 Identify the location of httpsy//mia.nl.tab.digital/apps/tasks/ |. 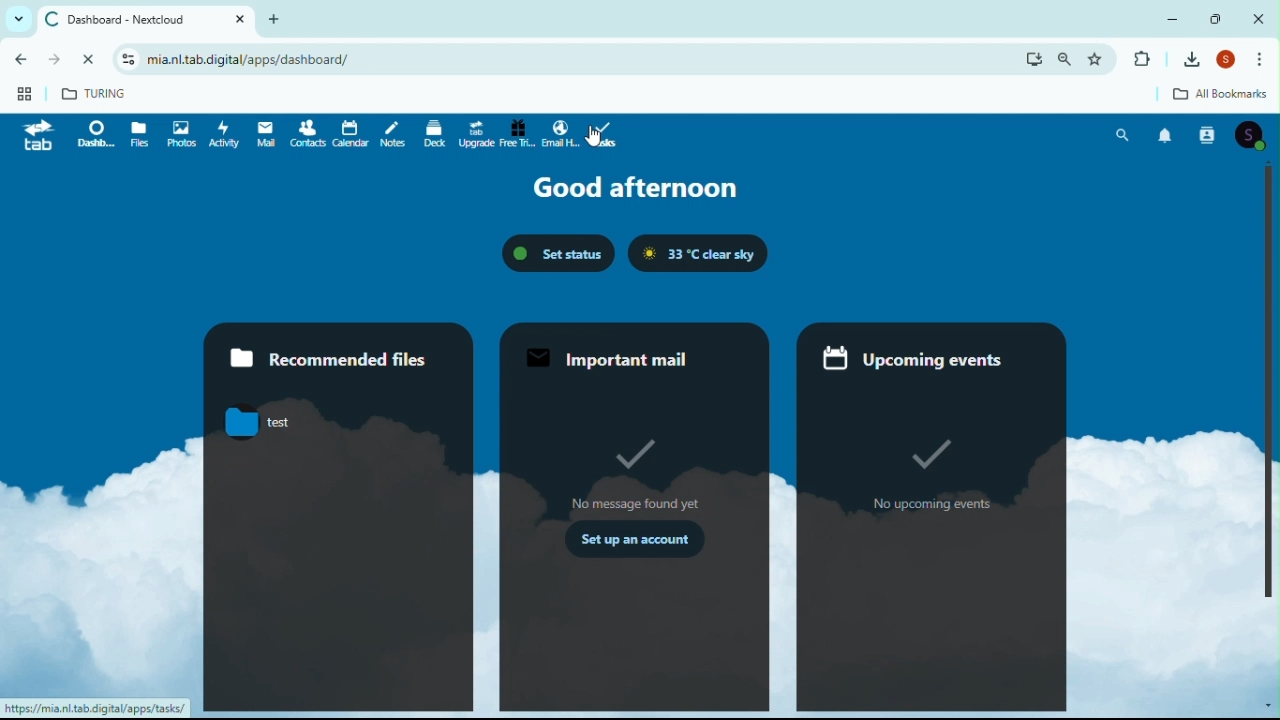
(99, 710).